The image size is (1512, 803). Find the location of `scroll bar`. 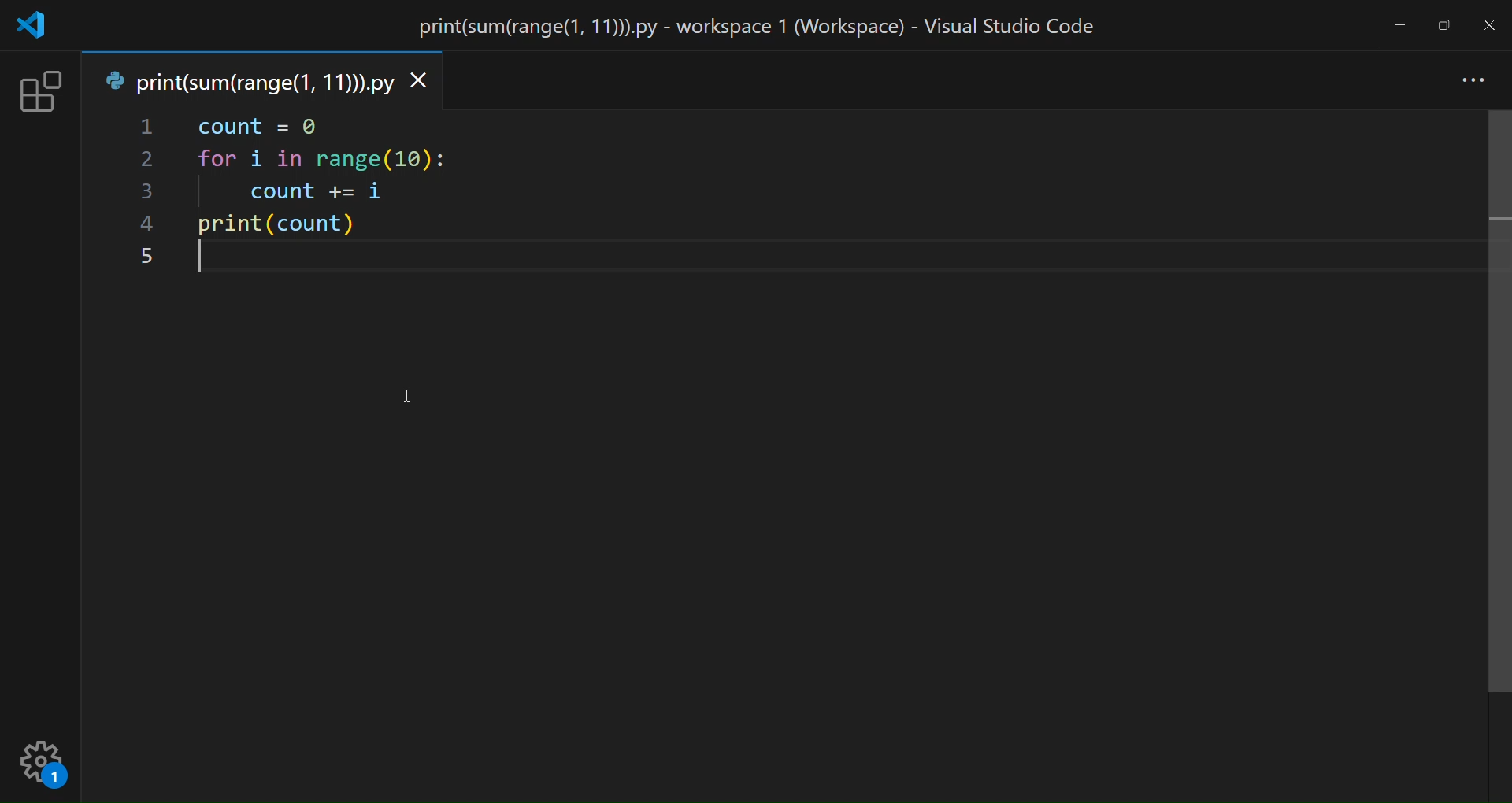

scroll bar is located at coordinates (1500, 403).